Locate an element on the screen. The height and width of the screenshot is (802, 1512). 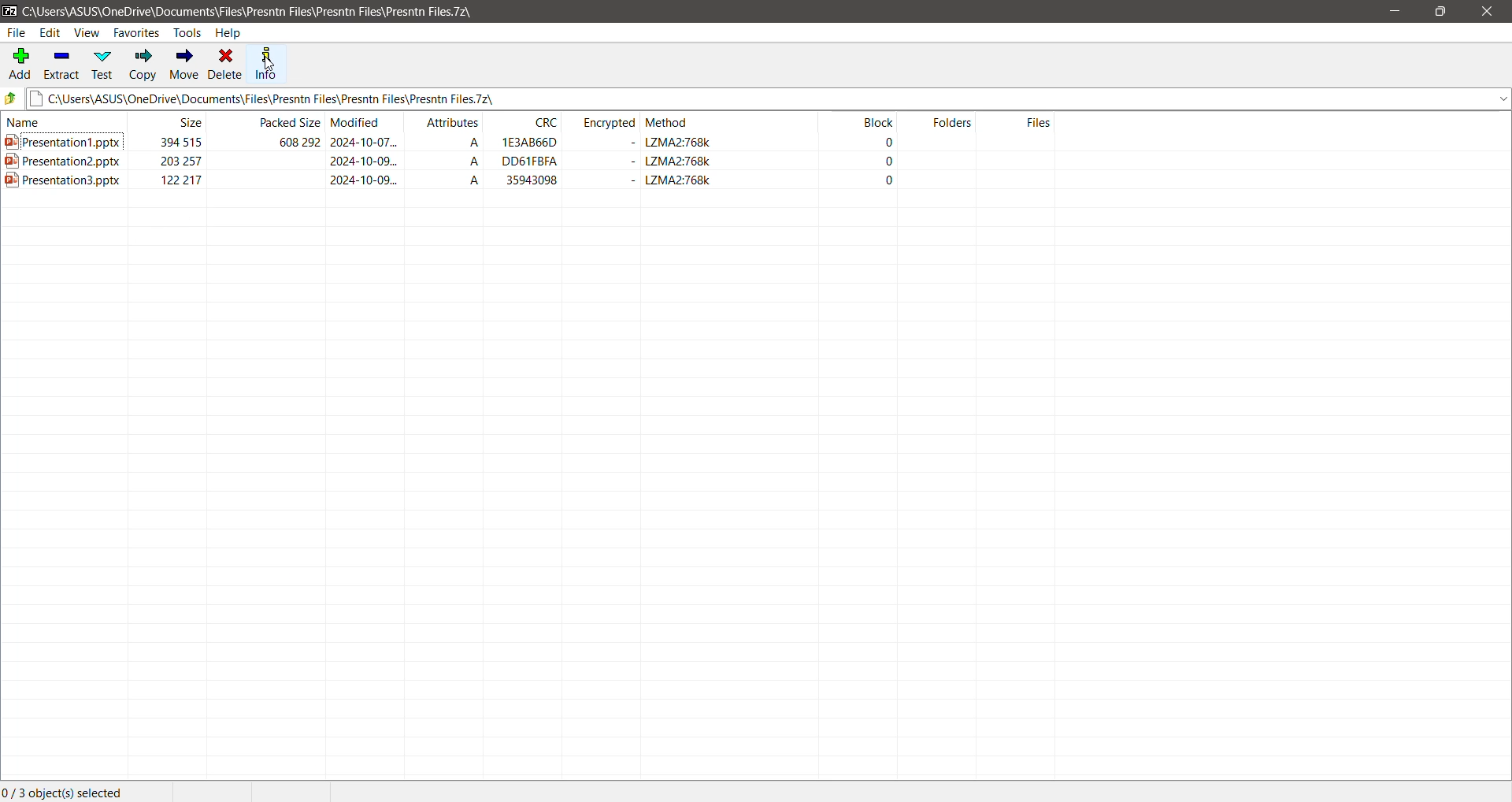
0 is located at coordinates (887, 162).